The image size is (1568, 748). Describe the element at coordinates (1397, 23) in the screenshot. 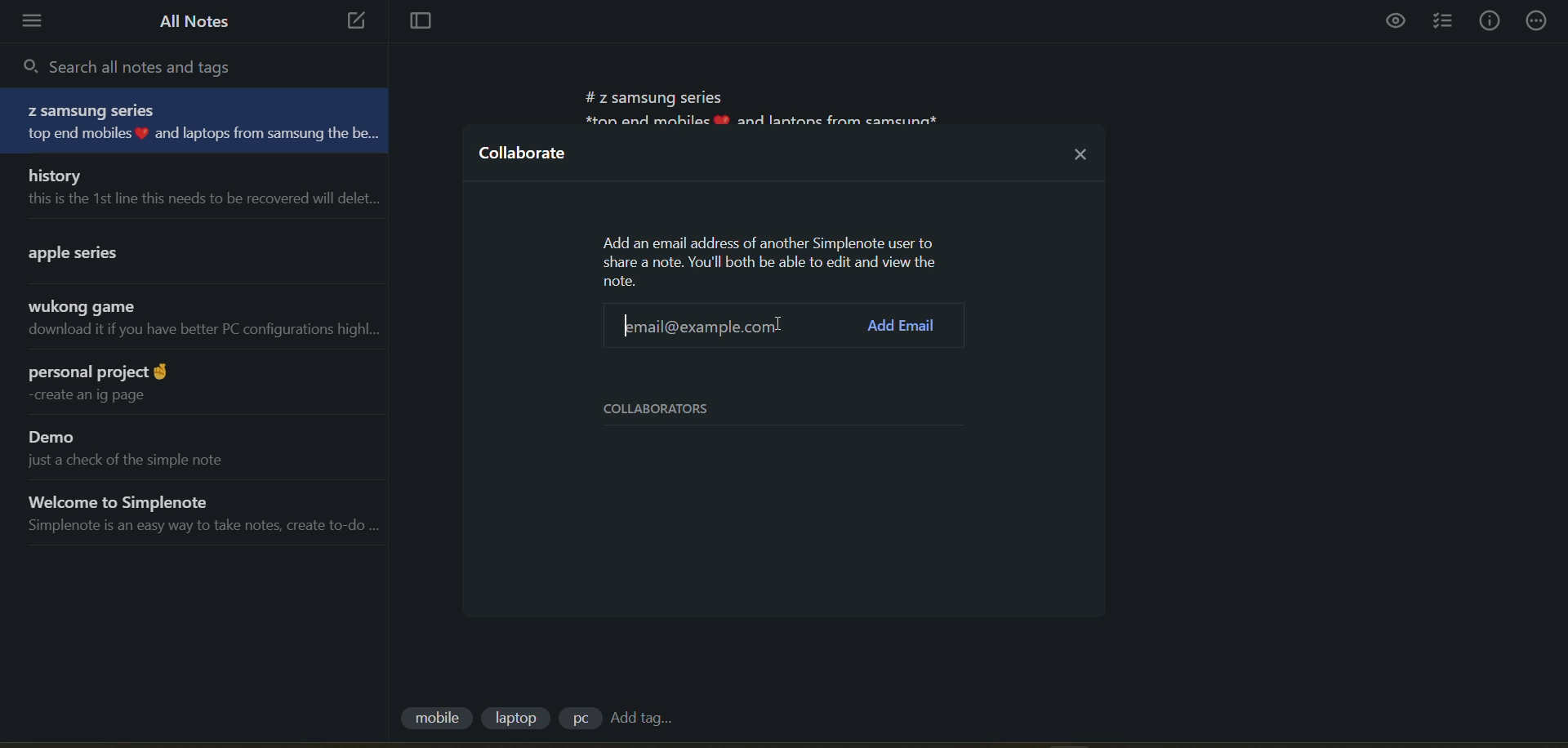

I see `preview` at that location.